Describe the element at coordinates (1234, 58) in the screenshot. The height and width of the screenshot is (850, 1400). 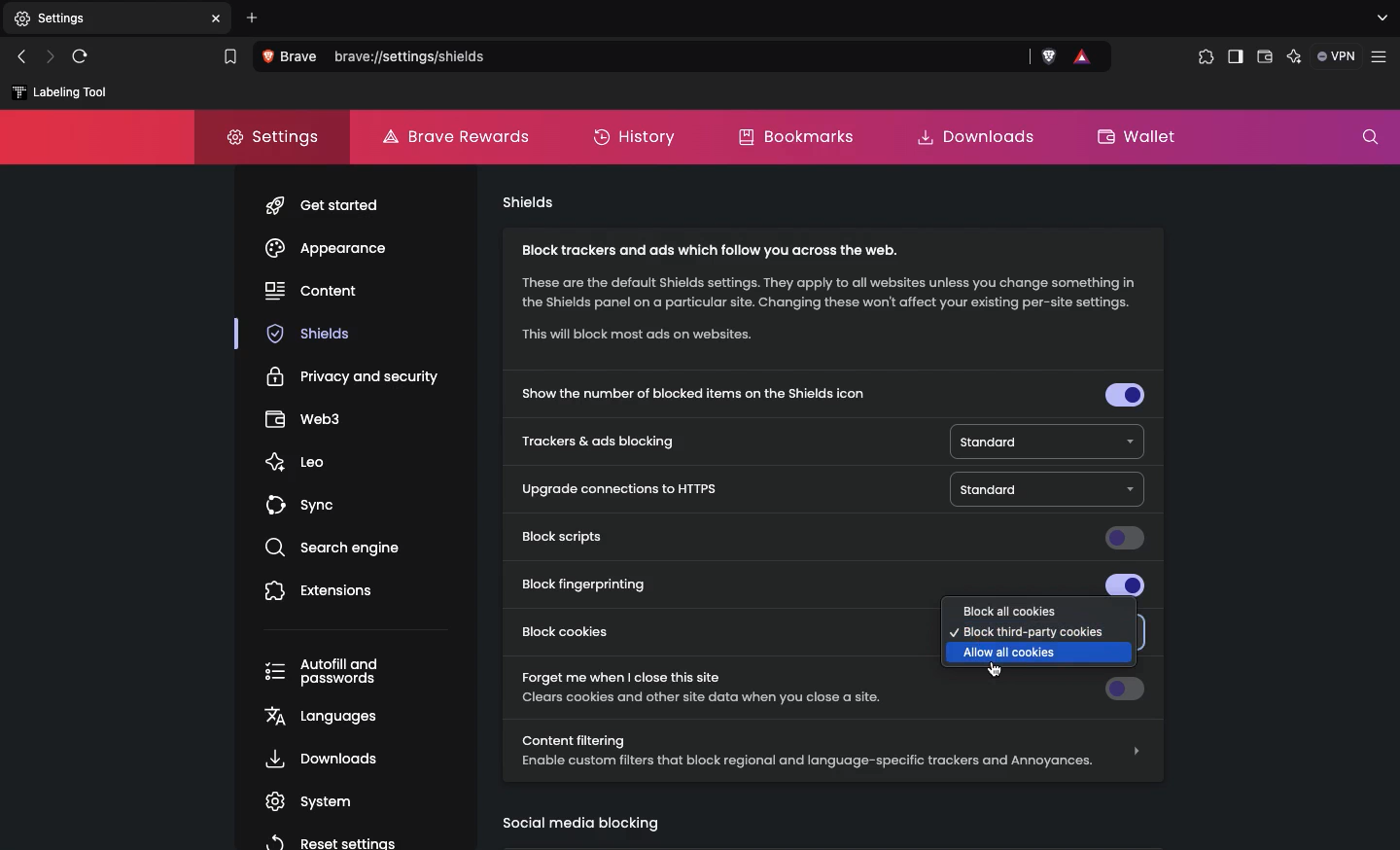
I see `Sidebar` at that location.